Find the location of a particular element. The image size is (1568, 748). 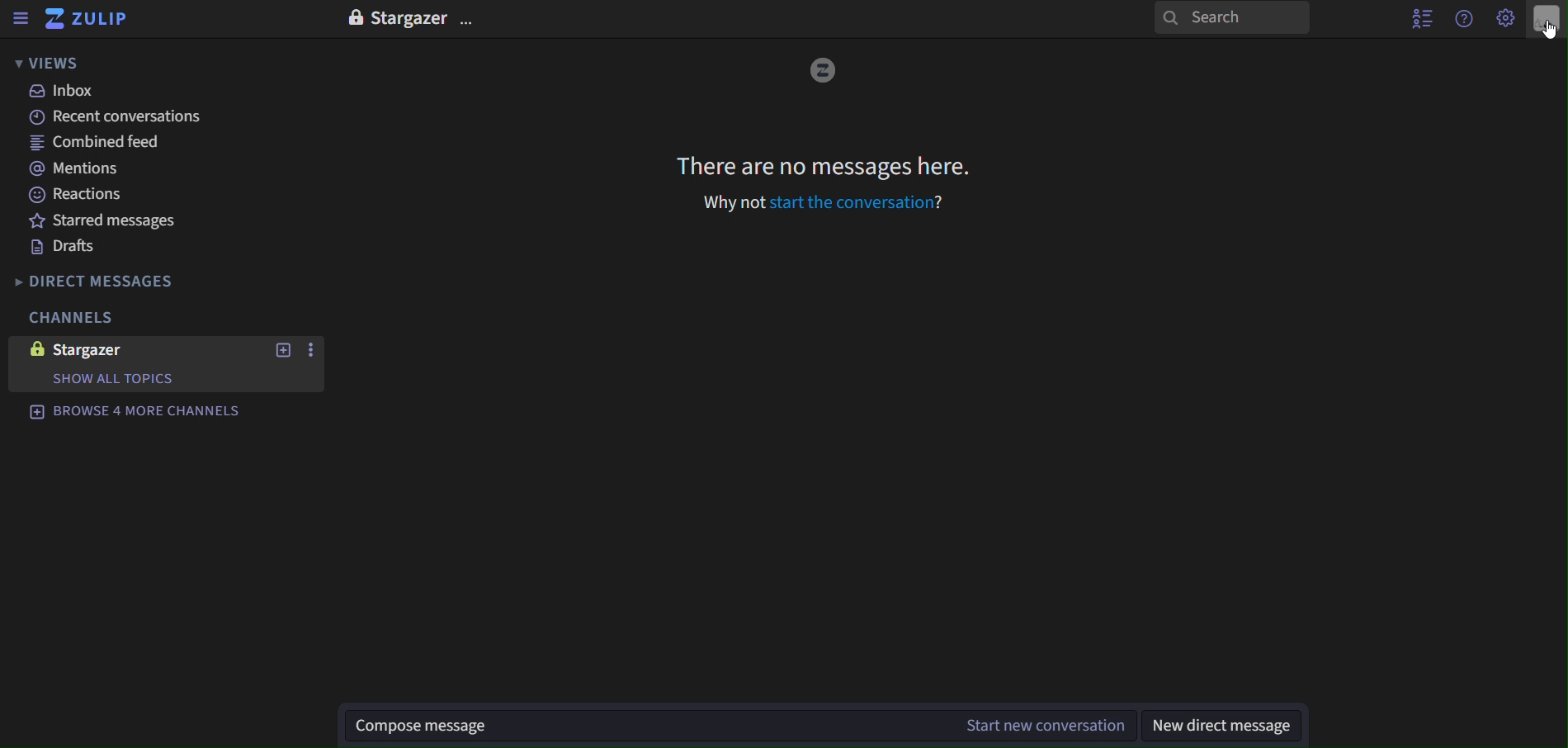

mentions is located at coordinates (83, 168).